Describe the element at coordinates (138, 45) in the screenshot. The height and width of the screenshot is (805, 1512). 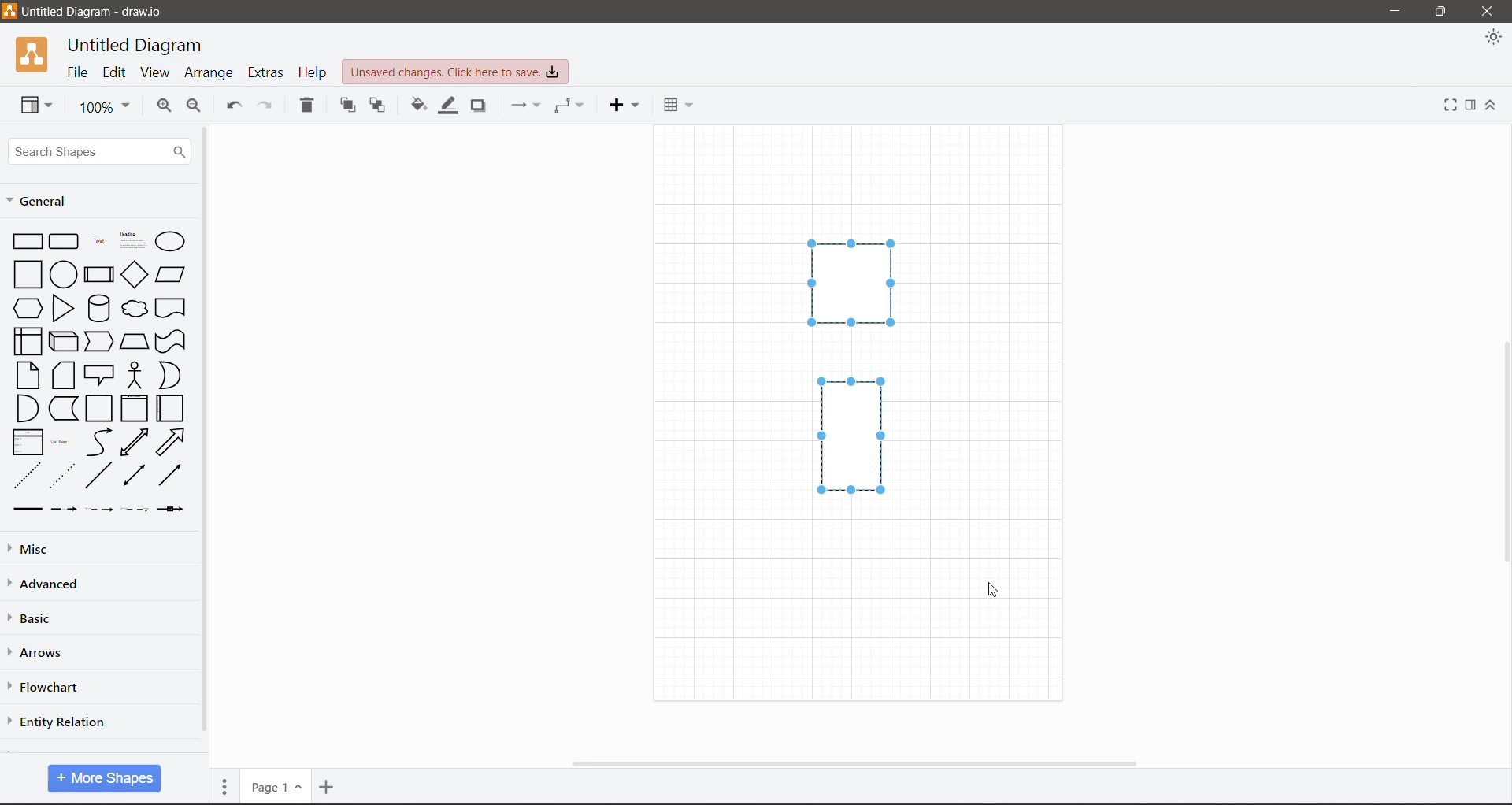
I see `` at that location.